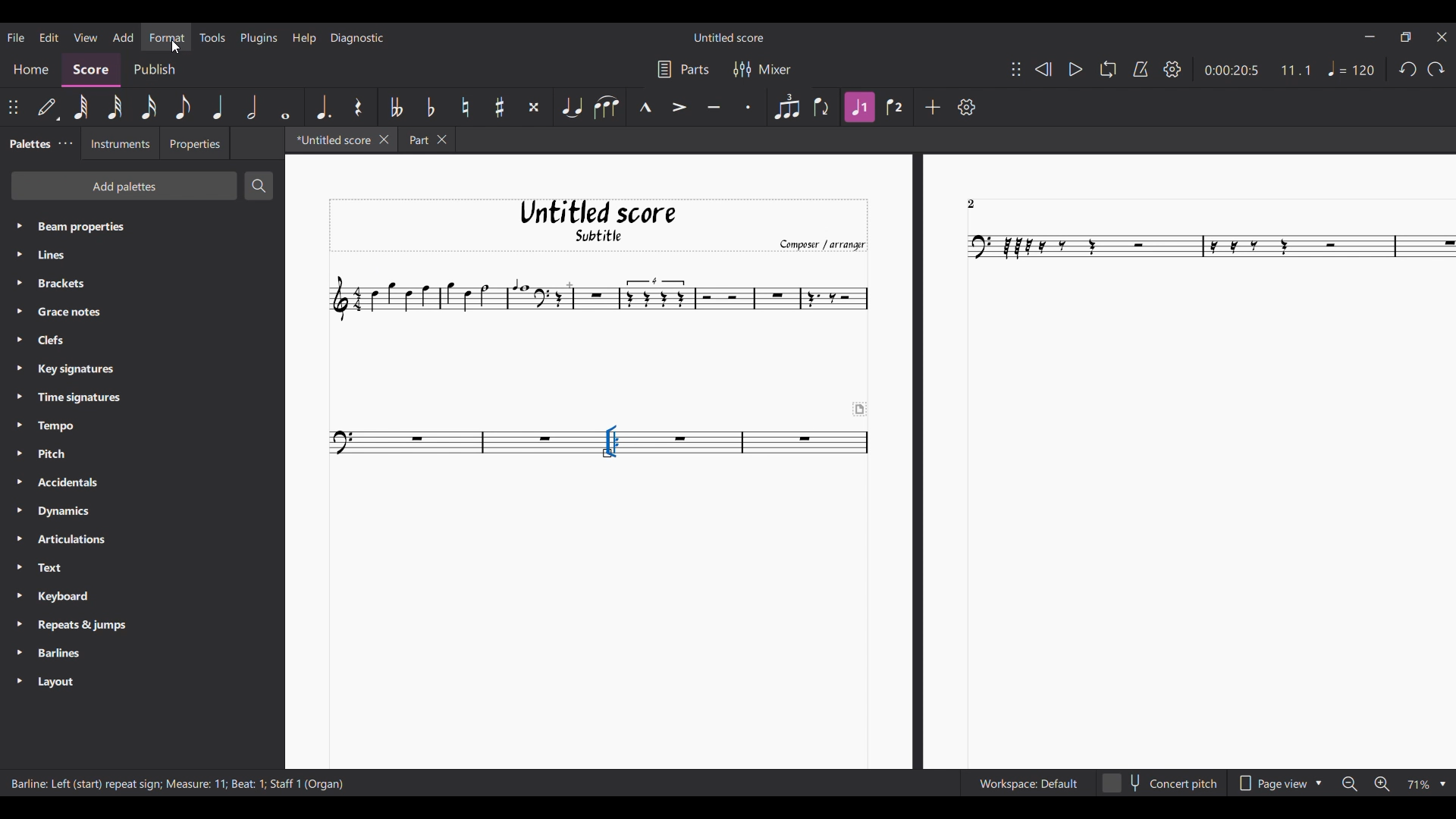  What do you see at coordinates (286, 106) in the screenshot?
I see `Whole note` at bounding box center [286, 106].